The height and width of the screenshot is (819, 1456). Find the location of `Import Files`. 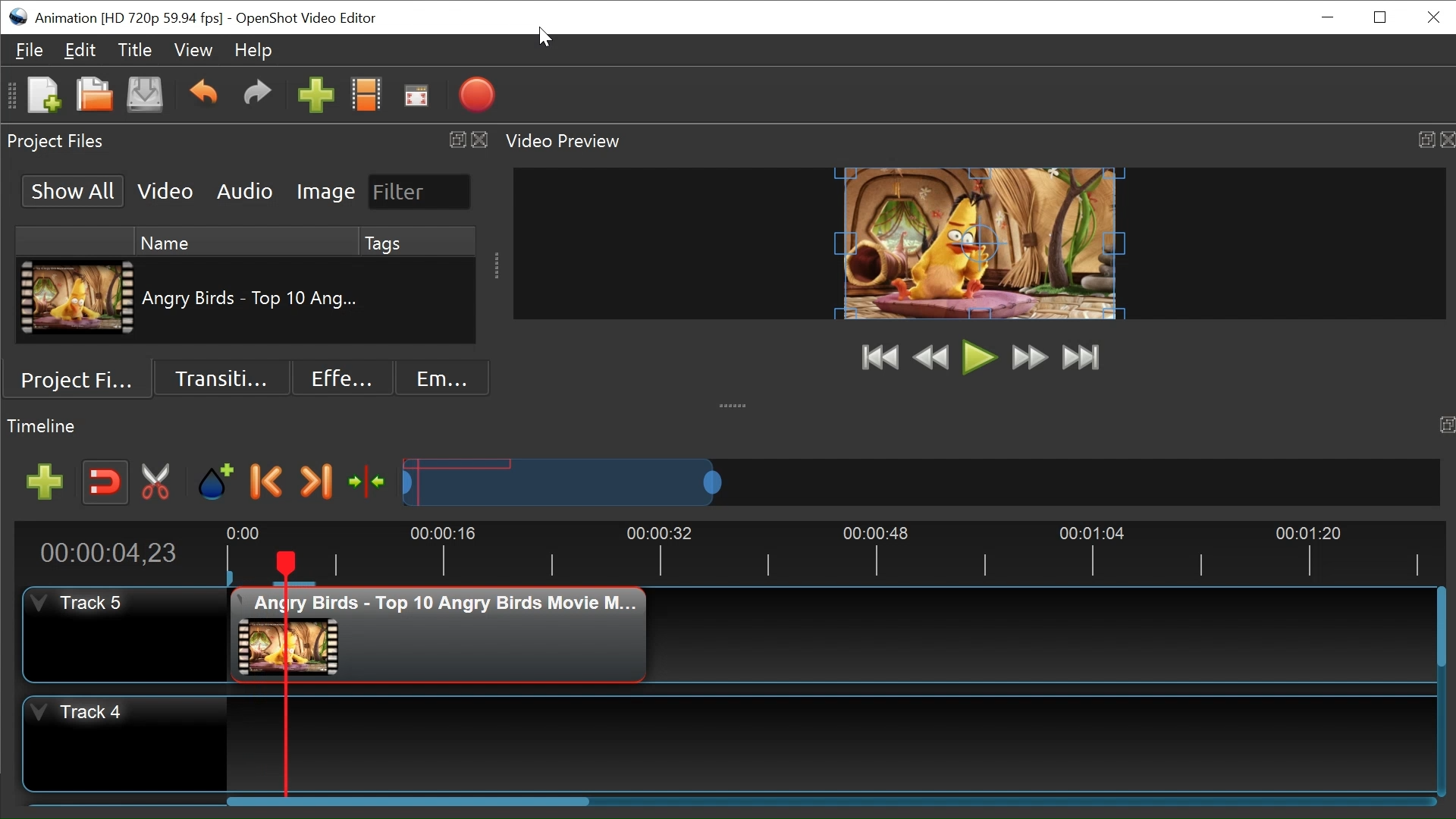

Import Files is located at coordinates (316, 94).